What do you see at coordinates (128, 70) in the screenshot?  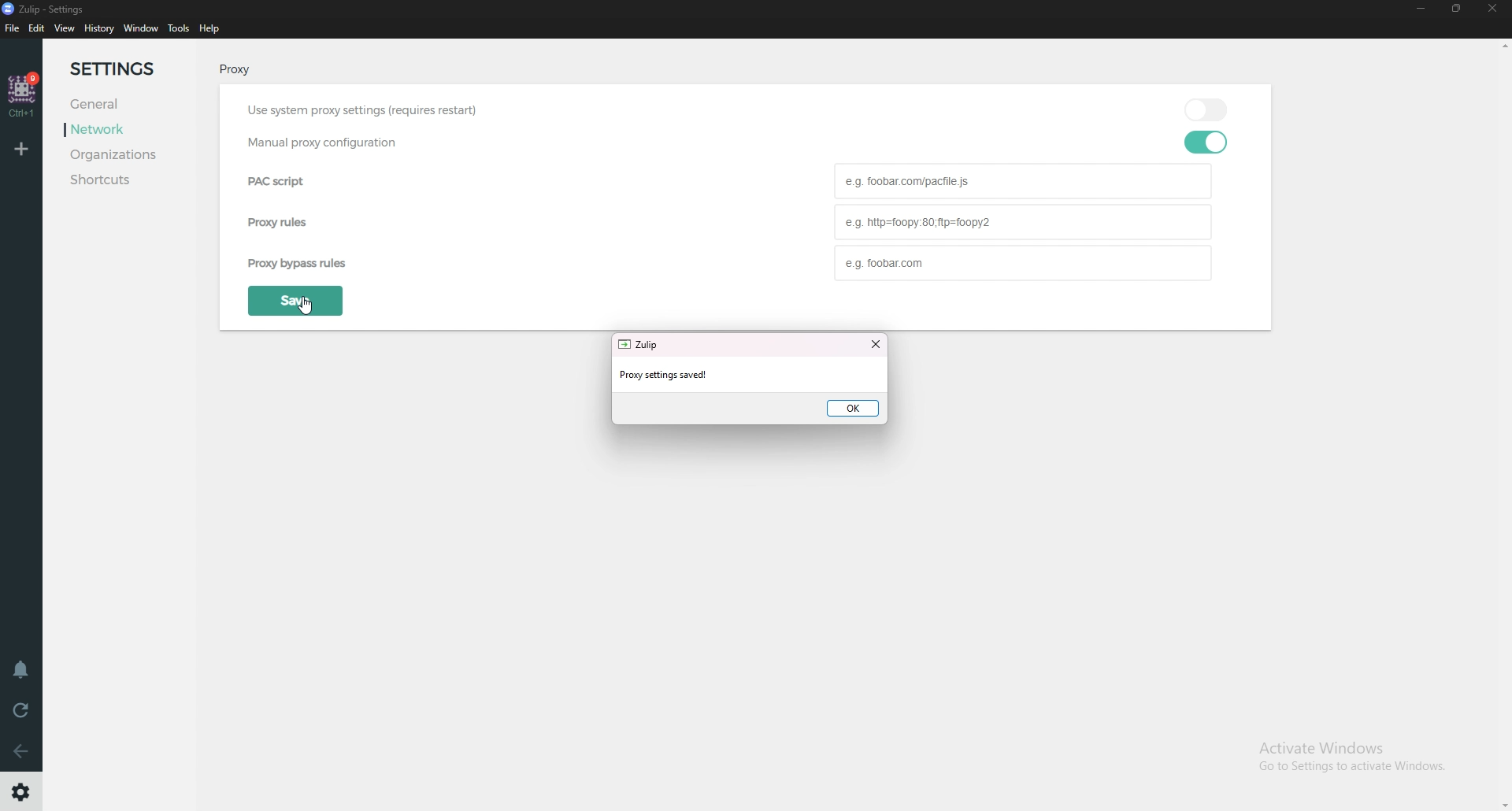 I see `Settings` at bounding box center [128, 70].